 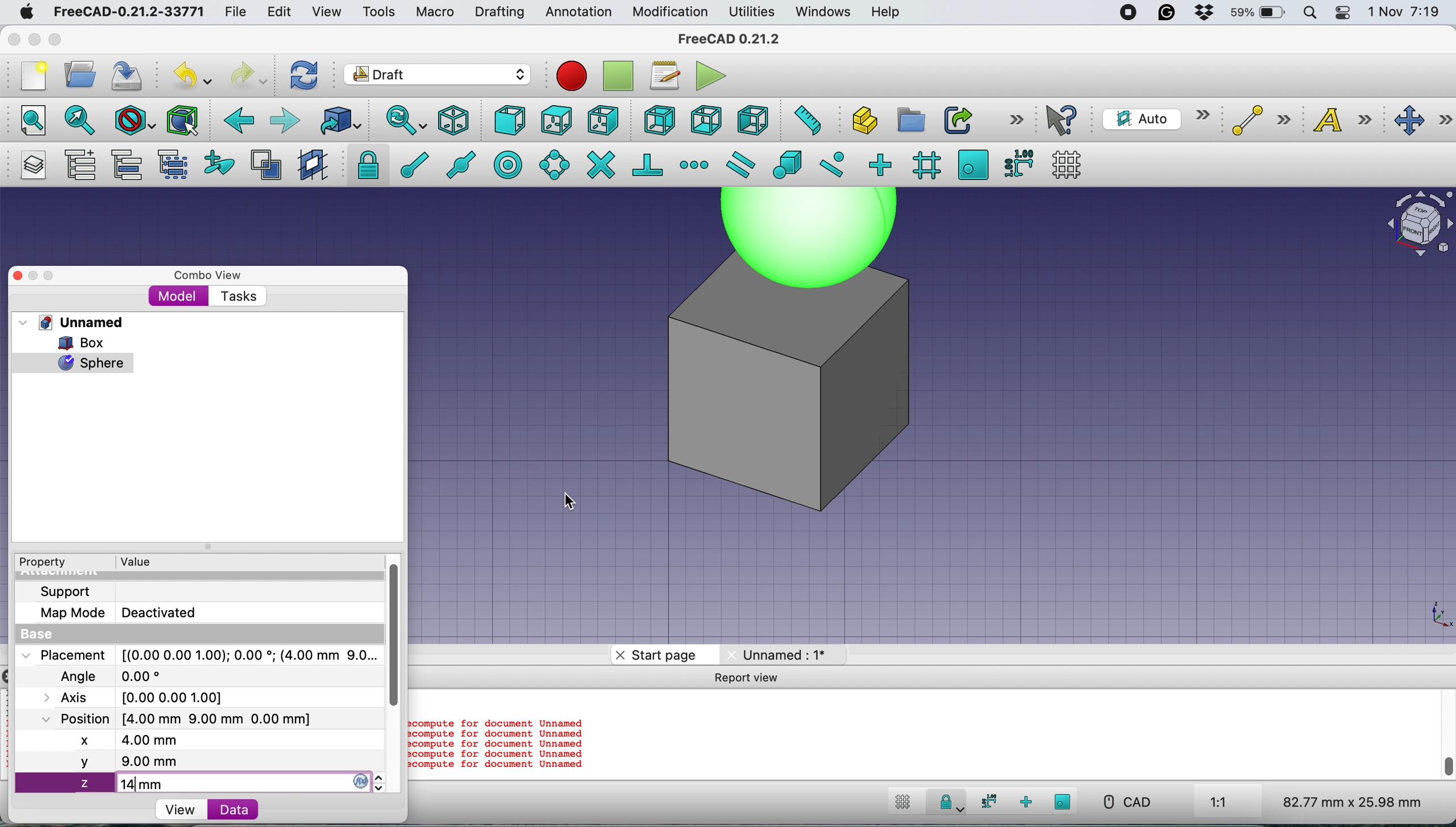 I want to click on map mode, so click(x=125, y=612).